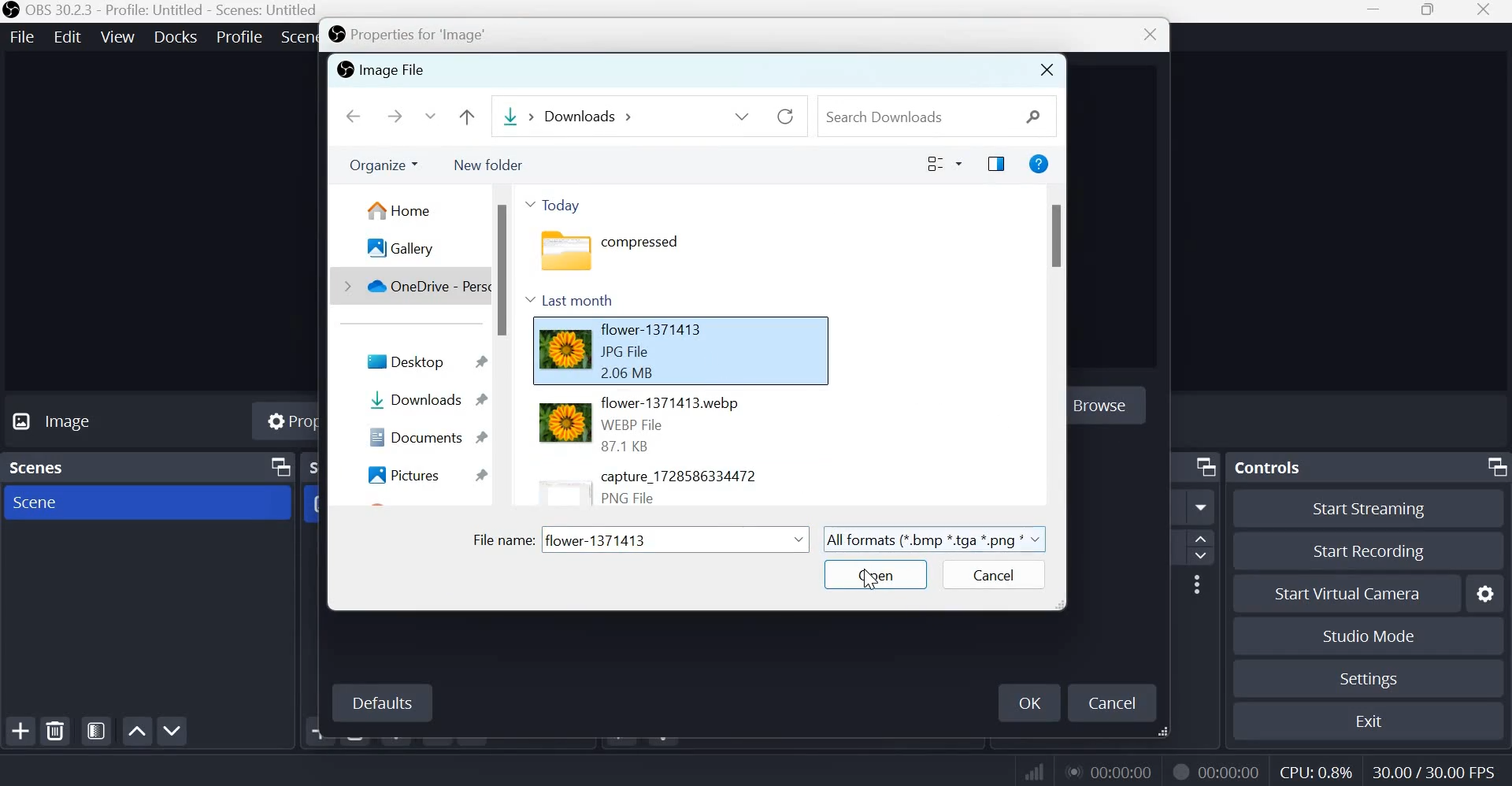  I want to click on OneDrive - personal, so click(413, 286).